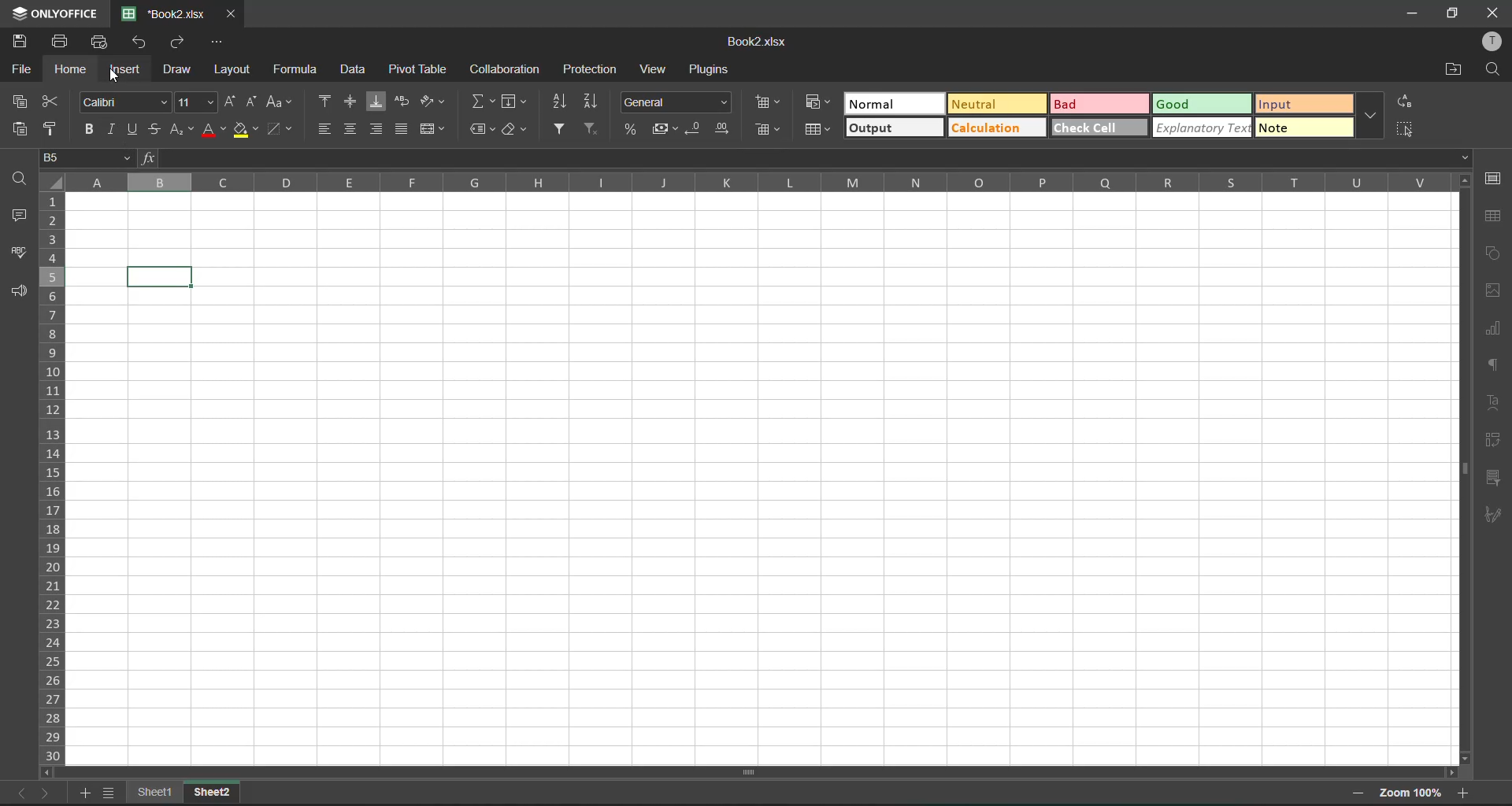 Image resolution: width=1512 pixels, height=806 pixels. What do you see at coordinates (355, 70) in the screenshot?
I see `data` at bounding box center [355, 70].